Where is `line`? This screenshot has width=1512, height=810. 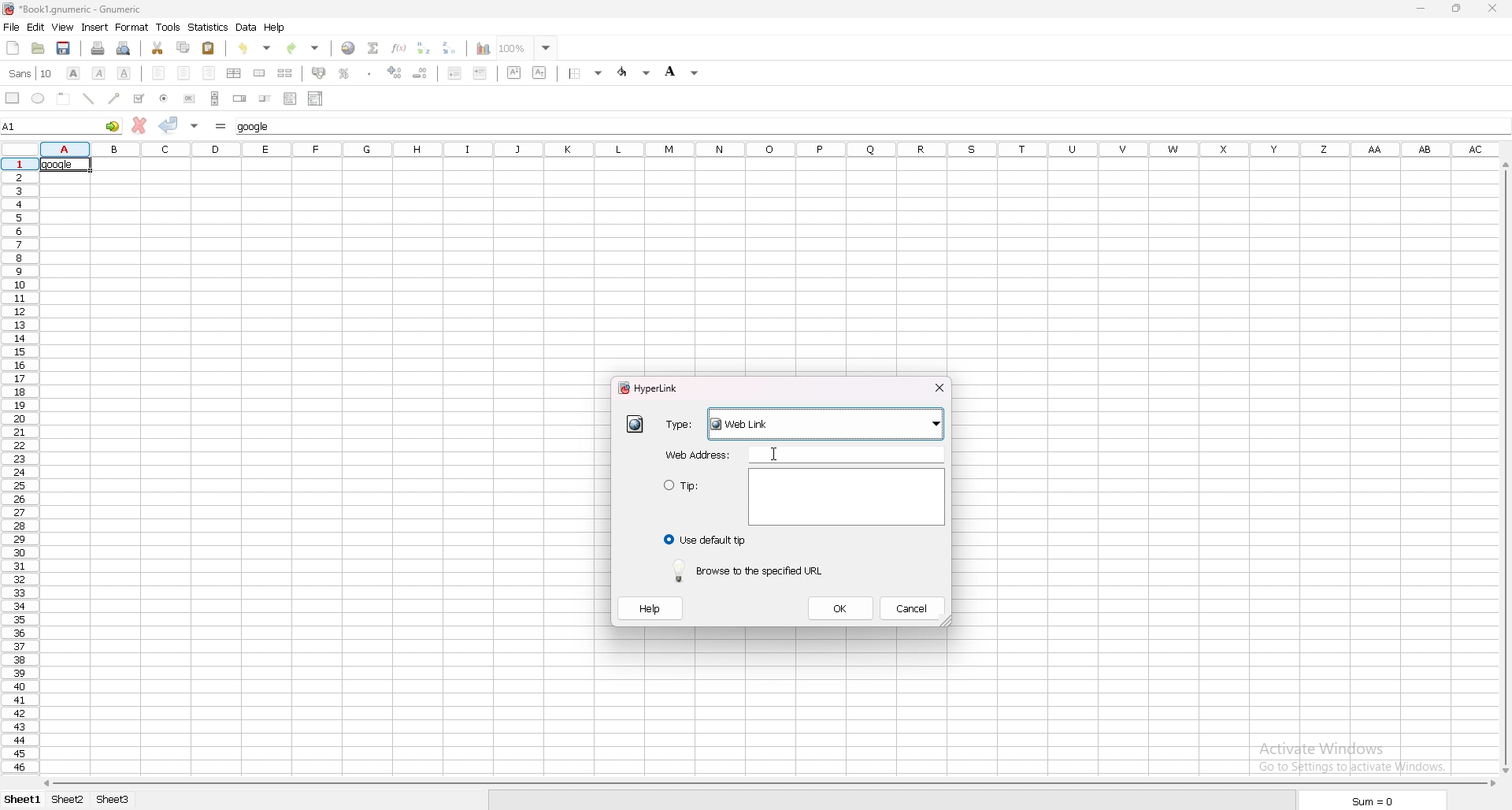 line is located at coordinates (90, 97).